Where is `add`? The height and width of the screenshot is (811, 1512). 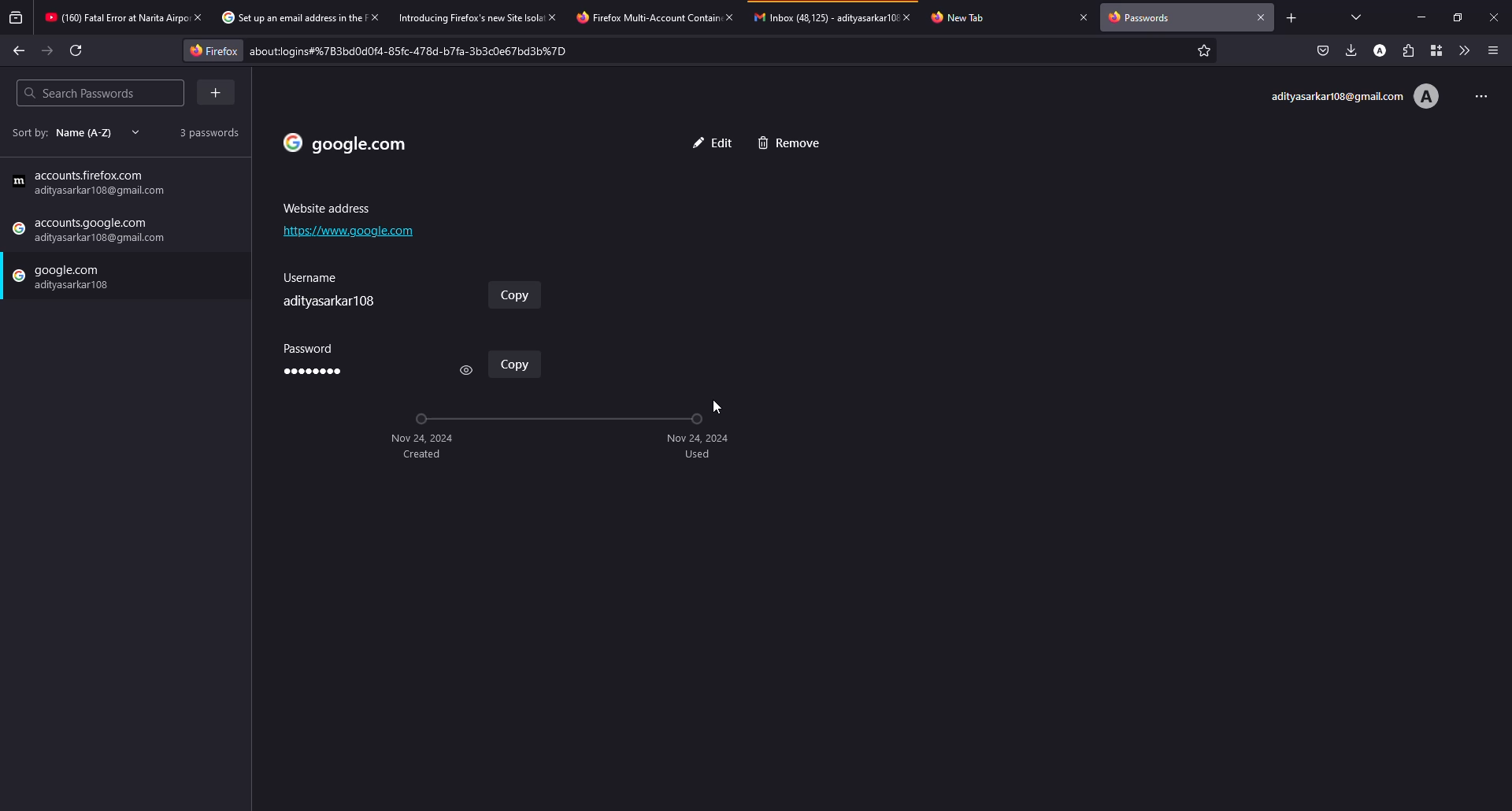
add is located at coordinates (355, 143).